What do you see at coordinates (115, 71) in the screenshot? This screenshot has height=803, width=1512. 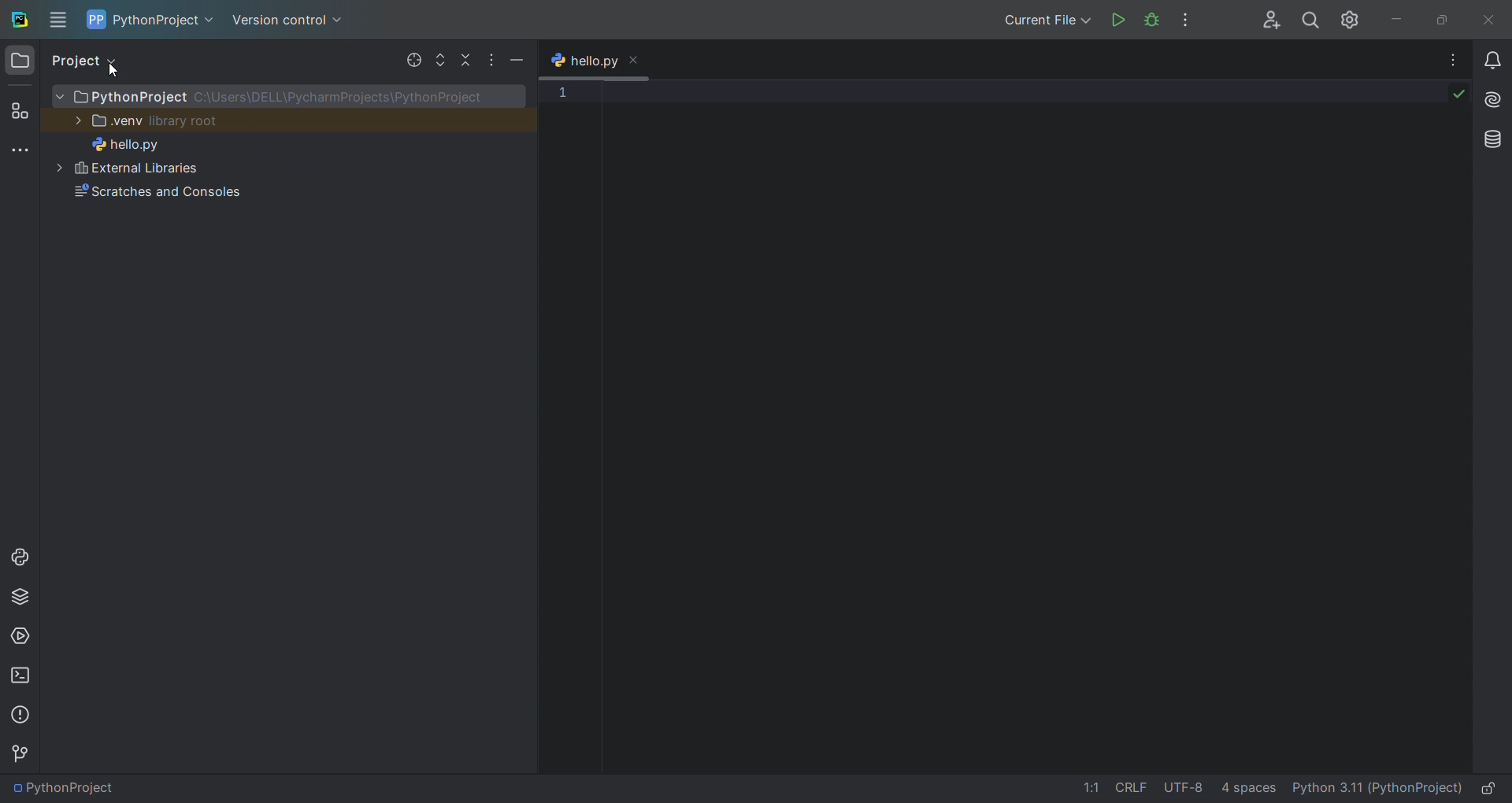 I see `cursor` at bounding box center [115, 71].